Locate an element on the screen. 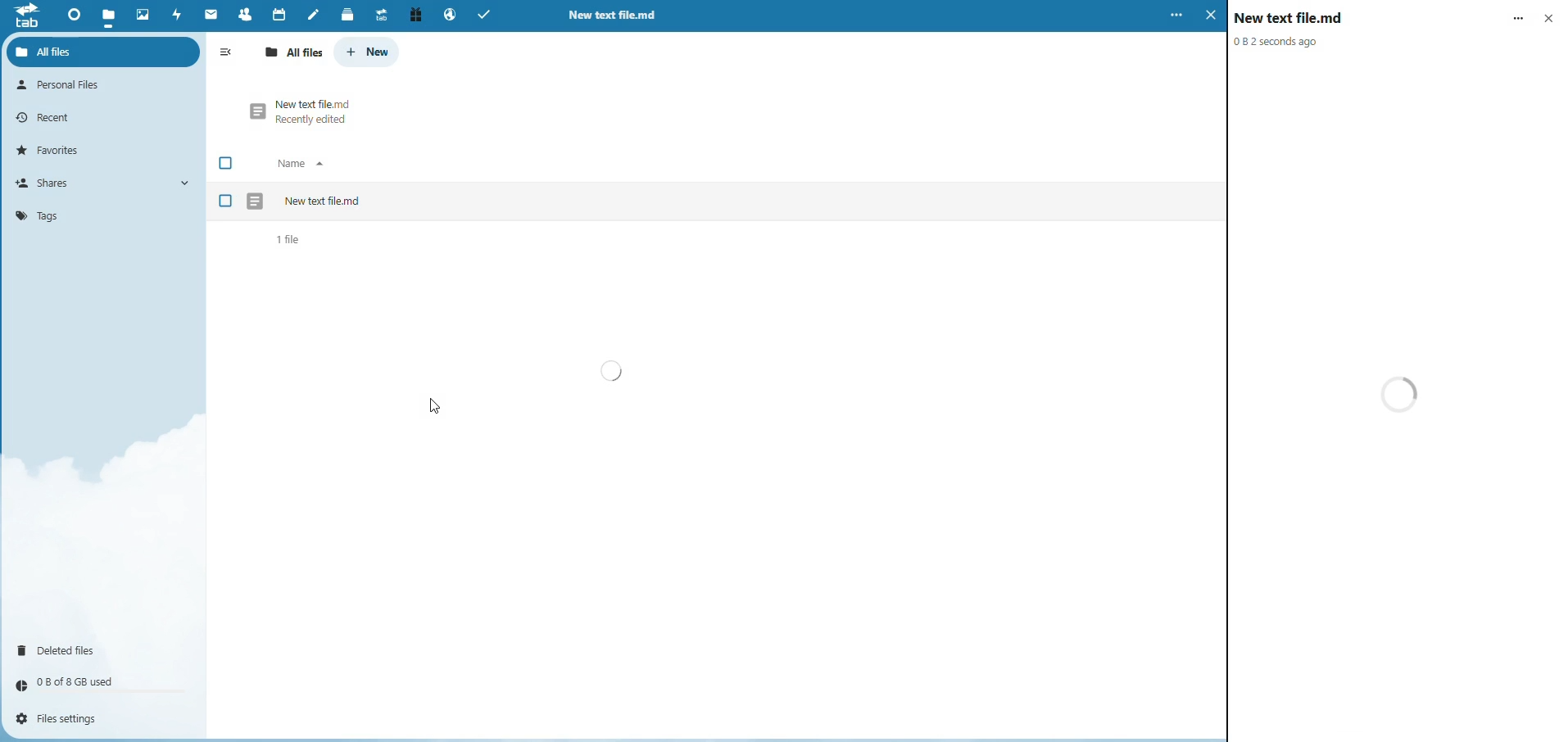  Deleted Files is located at coordinates (65, 649).